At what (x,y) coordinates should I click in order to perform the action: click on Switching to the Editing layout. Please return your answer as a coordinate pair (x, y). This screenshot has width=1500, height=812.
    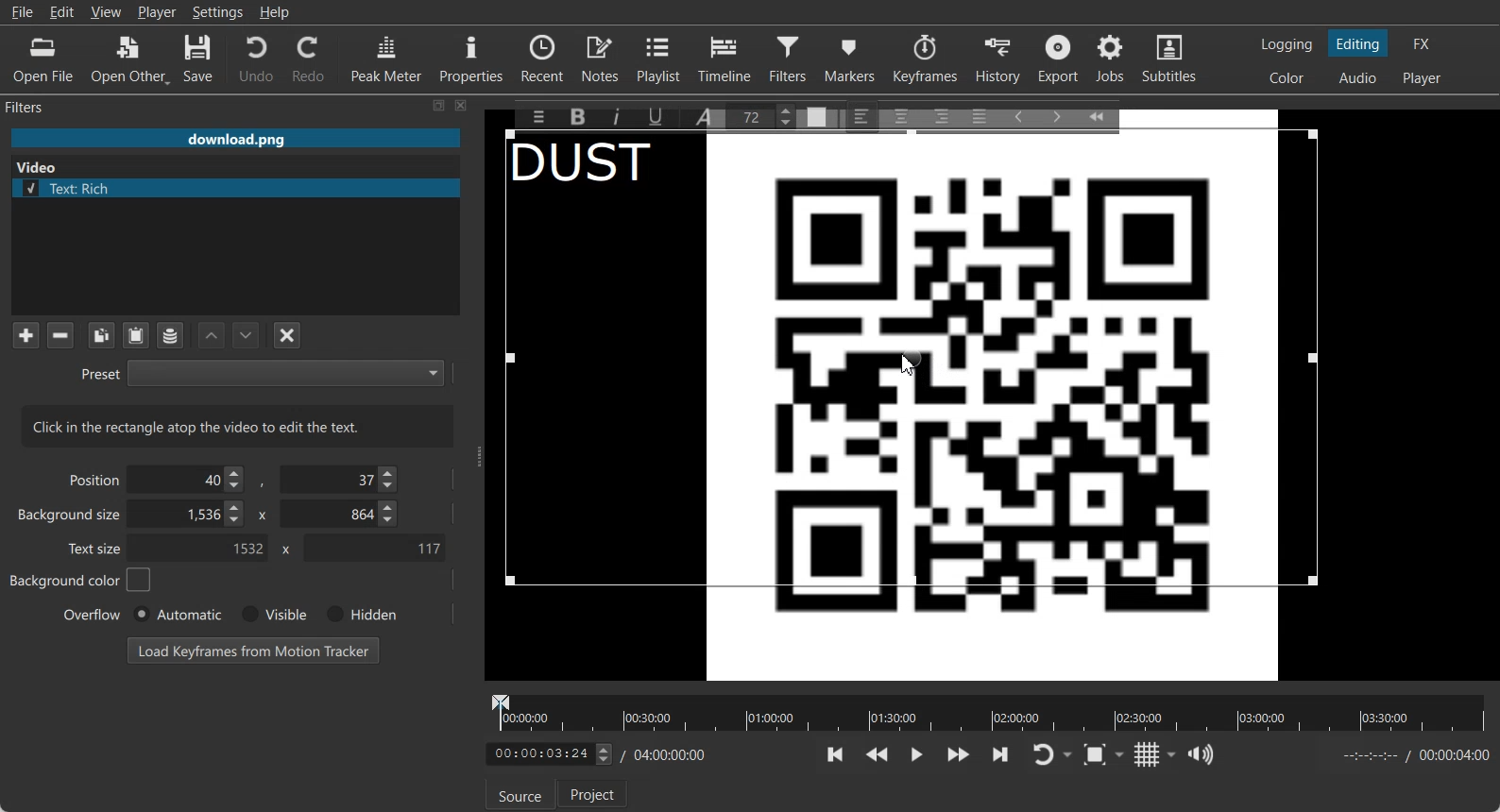
    Looking at the image, I should click on (1358, 44).